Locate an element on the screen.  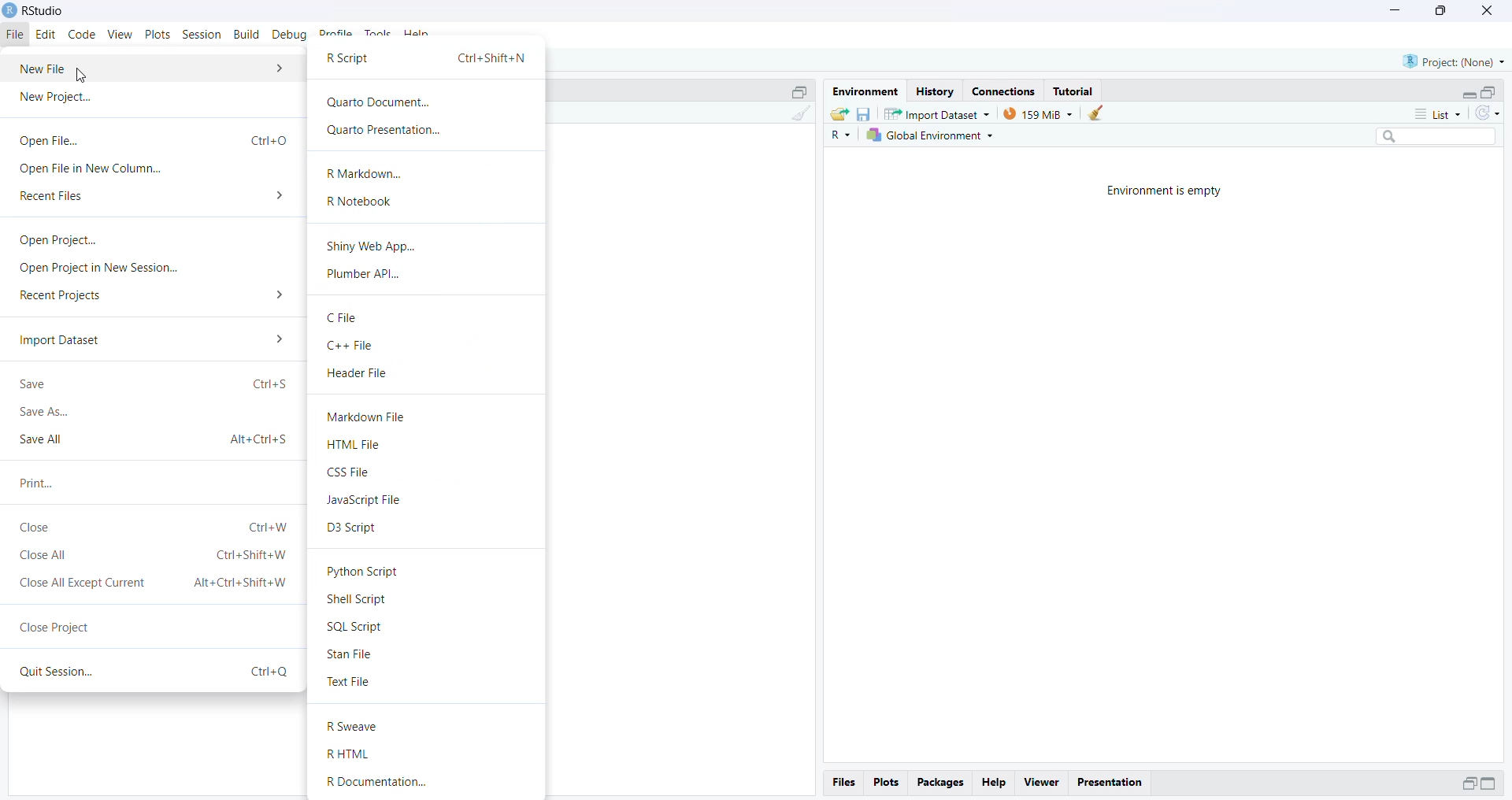
maximize is located at coordinates (1439, 12).